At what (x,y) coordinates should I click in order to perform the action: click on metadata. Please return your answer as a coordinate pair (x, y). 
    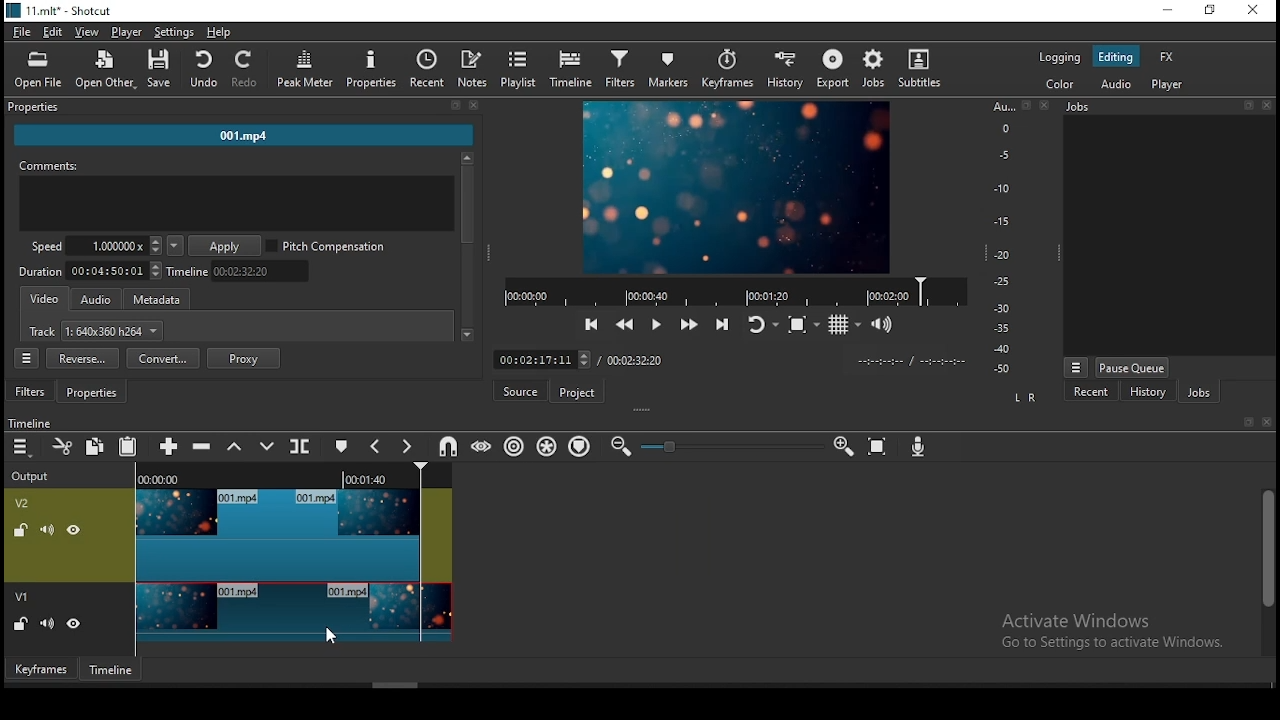
    Looking at the image, I should click on (163, 300).